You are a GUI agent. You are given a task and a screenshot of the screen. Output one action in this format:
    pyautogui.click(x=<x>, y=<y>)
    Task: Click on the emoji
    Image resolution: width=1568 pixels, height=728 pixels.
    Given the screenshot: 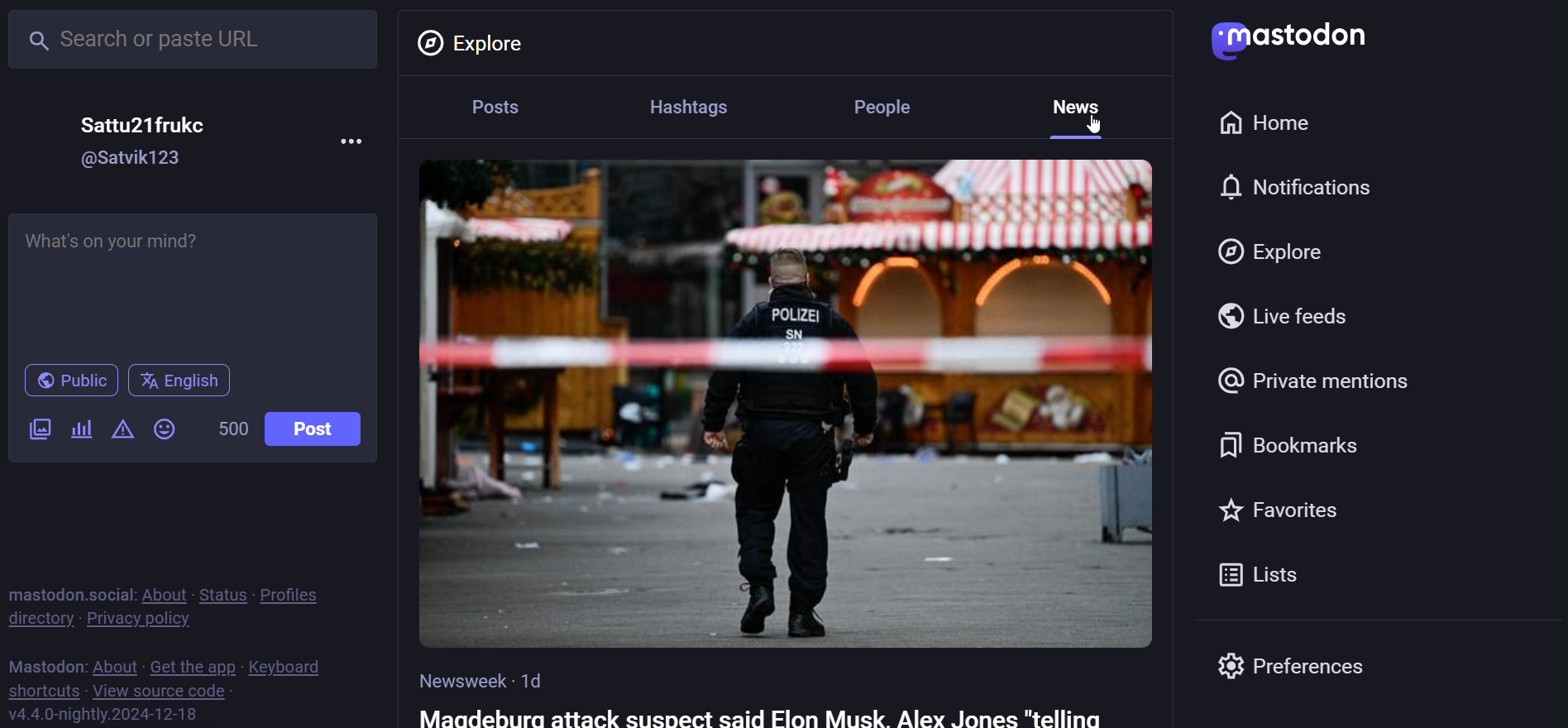 What is the action you would take?
    pyautogui.click(x=168, y=429)
    